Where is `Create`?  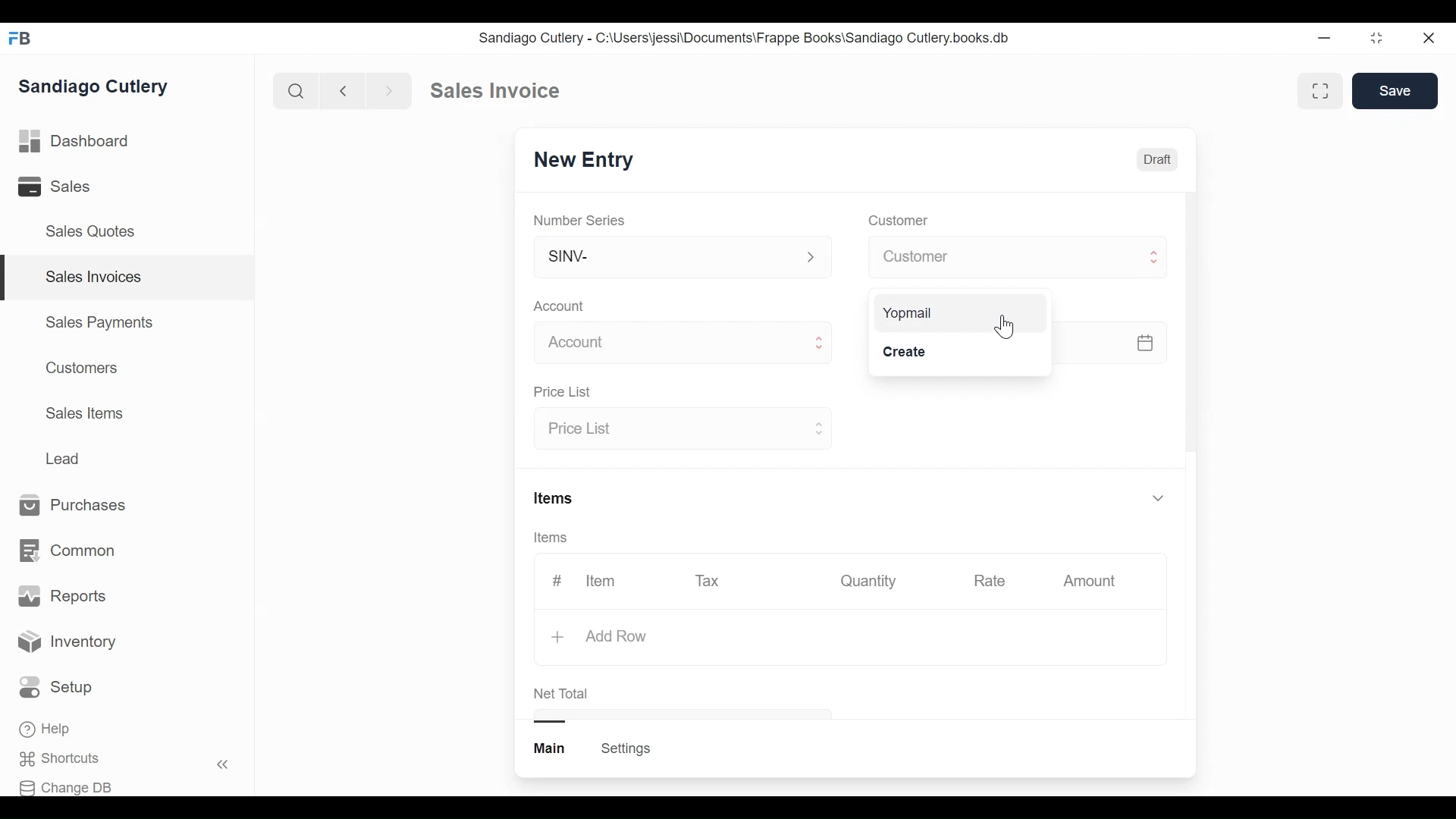 Create is located at coordinates (904, 352).